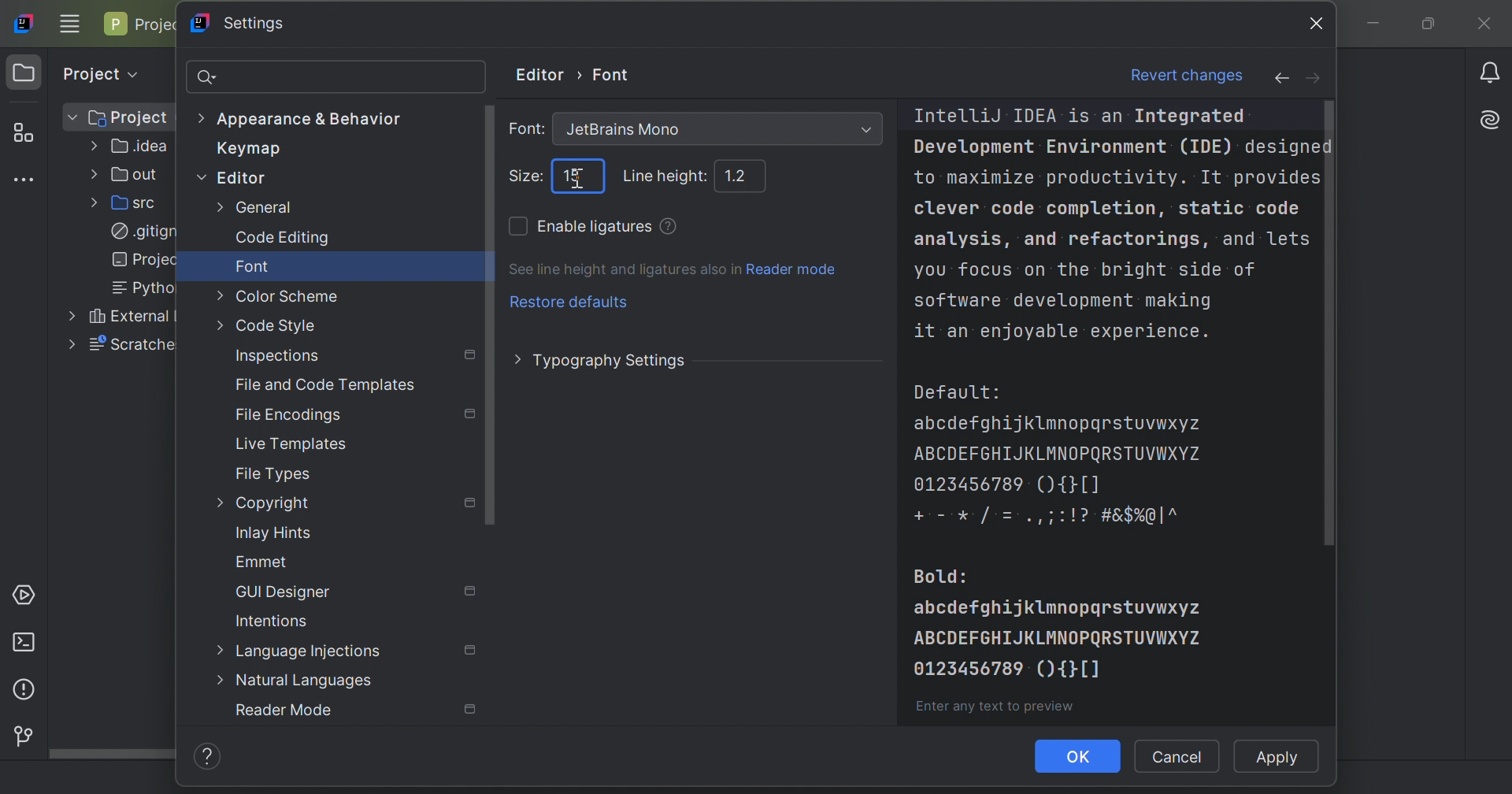 The height and width of the screenshot is (794, 1512). I want to click on Minimize, so click(1379, 25).